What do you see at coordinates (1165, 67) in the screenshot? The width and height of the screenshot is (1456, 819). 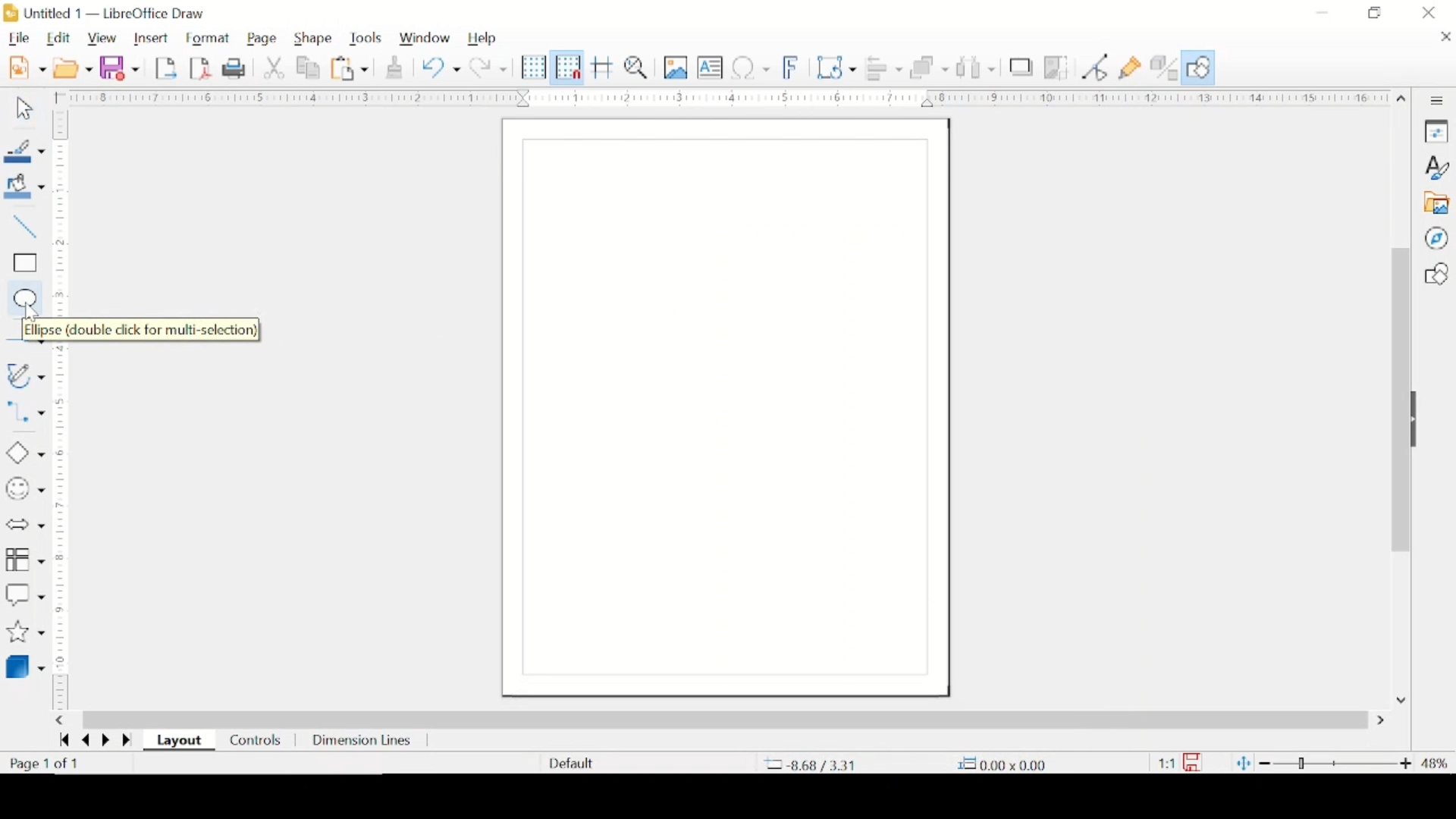 I see `toggle extrusion` at bounding box center [1165, 67].